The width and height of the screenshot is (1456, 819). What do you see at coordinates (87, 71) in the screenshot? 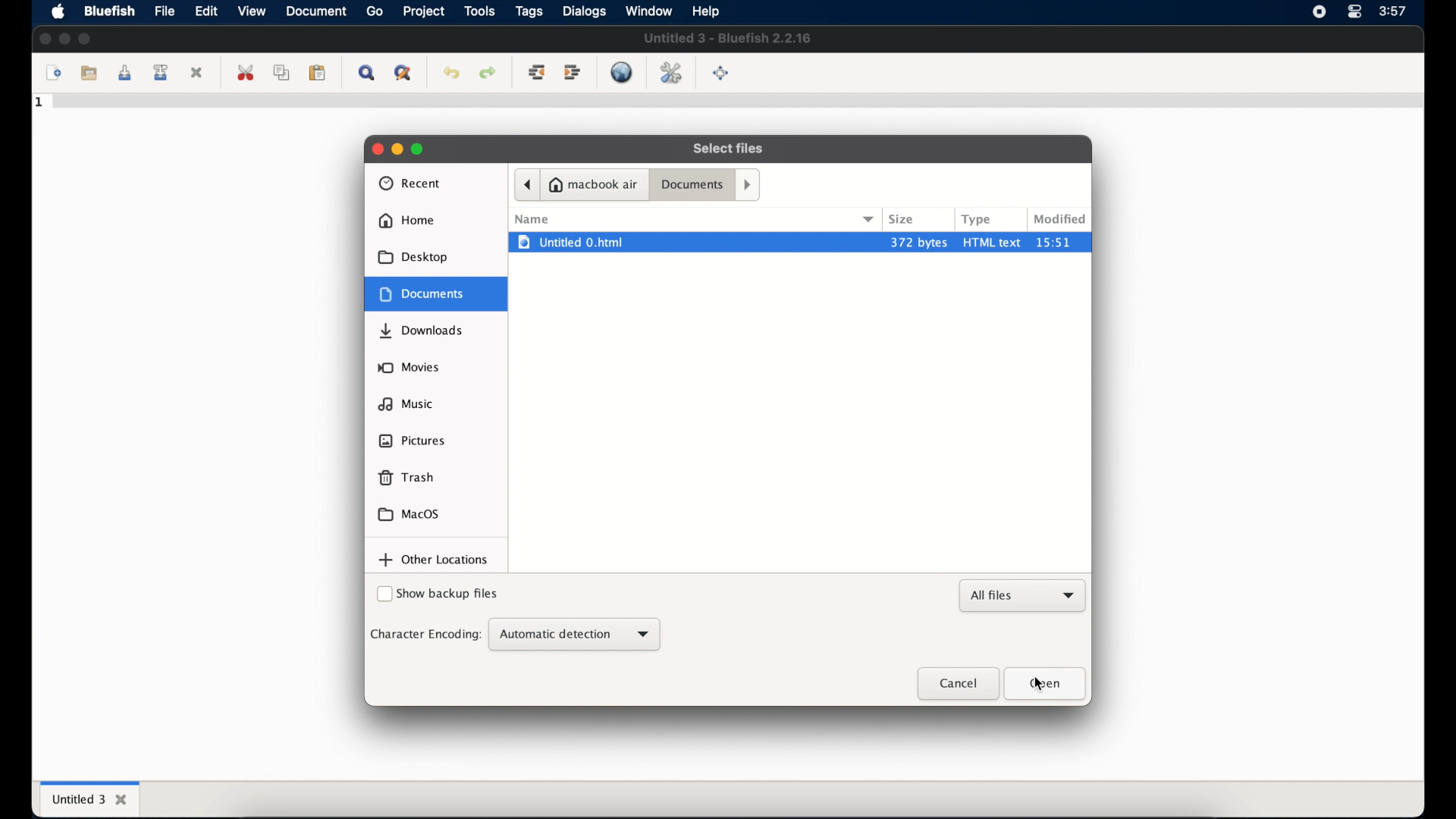
I see `open` at bounding box center [87, 71].